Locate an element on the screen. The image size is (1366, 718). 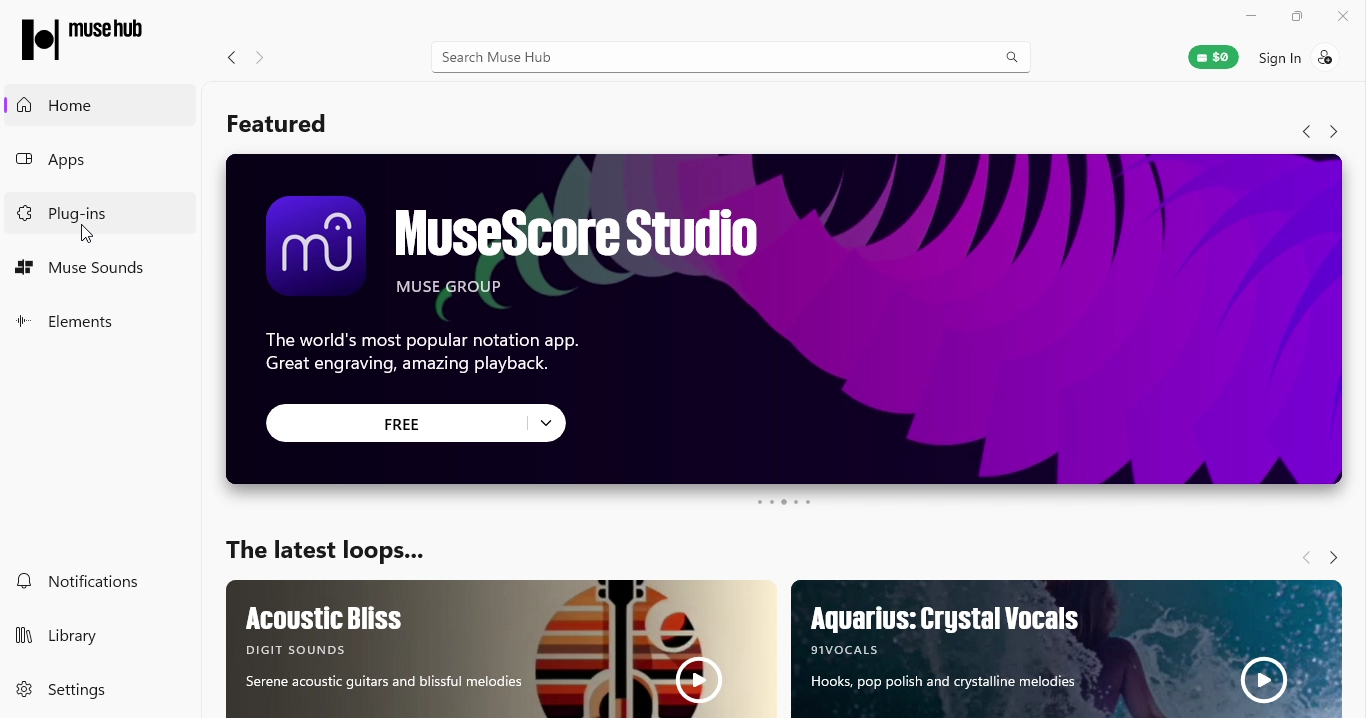
free is located at coordinates (393, 424).